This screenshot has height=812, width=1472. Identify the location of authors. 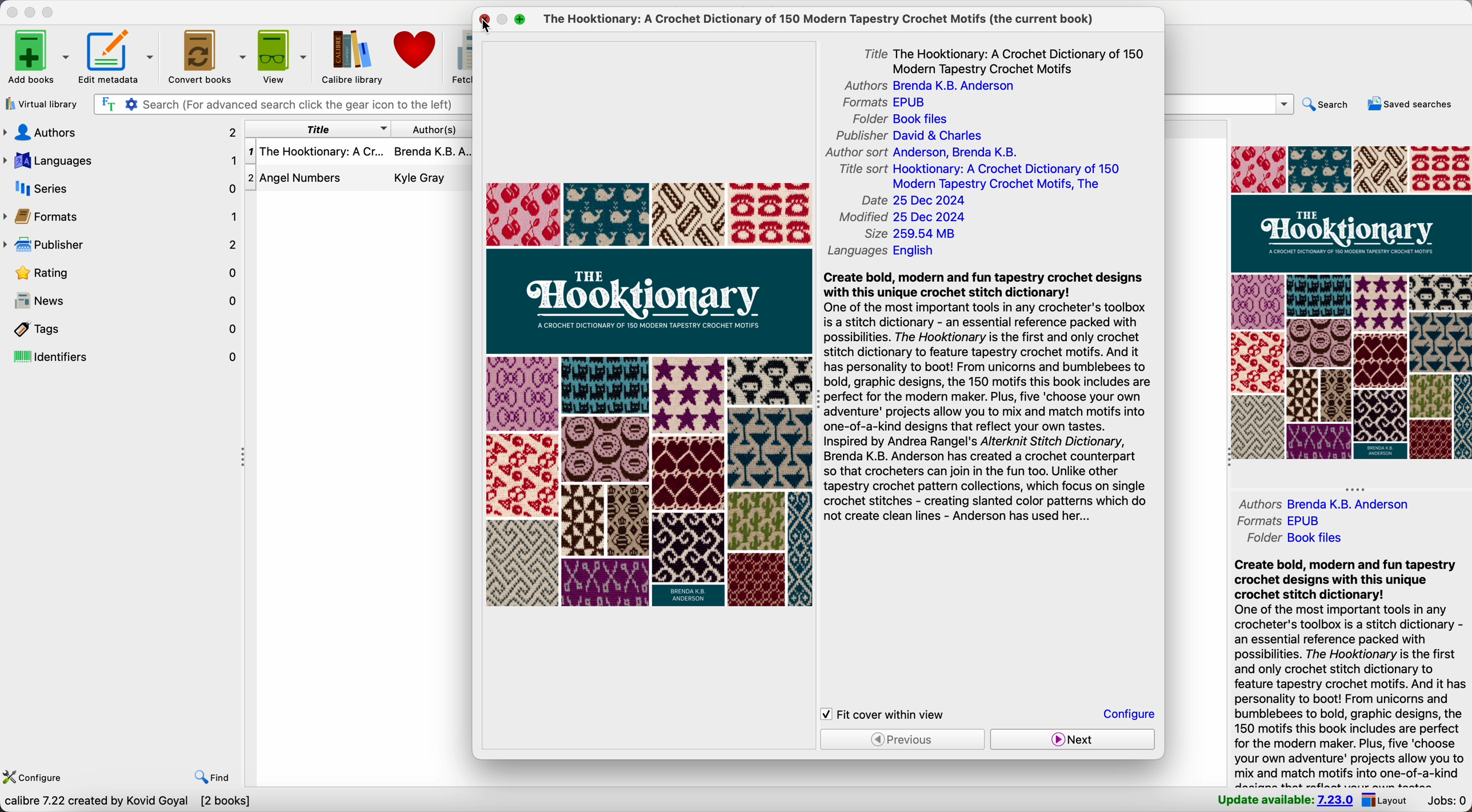
(119, 132).